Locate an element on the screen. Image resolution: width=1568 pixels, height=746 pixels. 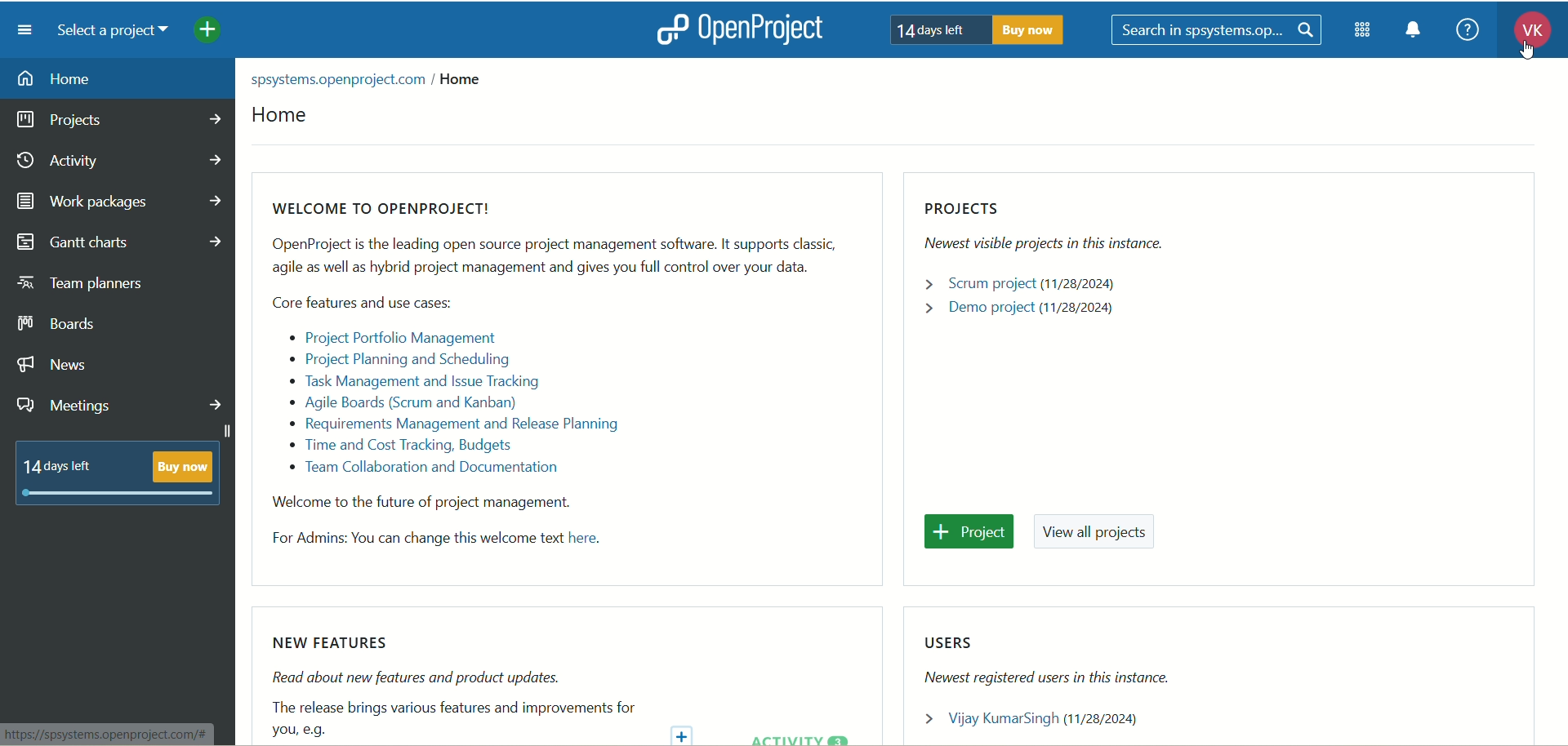
meetings is located at coordinates (120, 407).